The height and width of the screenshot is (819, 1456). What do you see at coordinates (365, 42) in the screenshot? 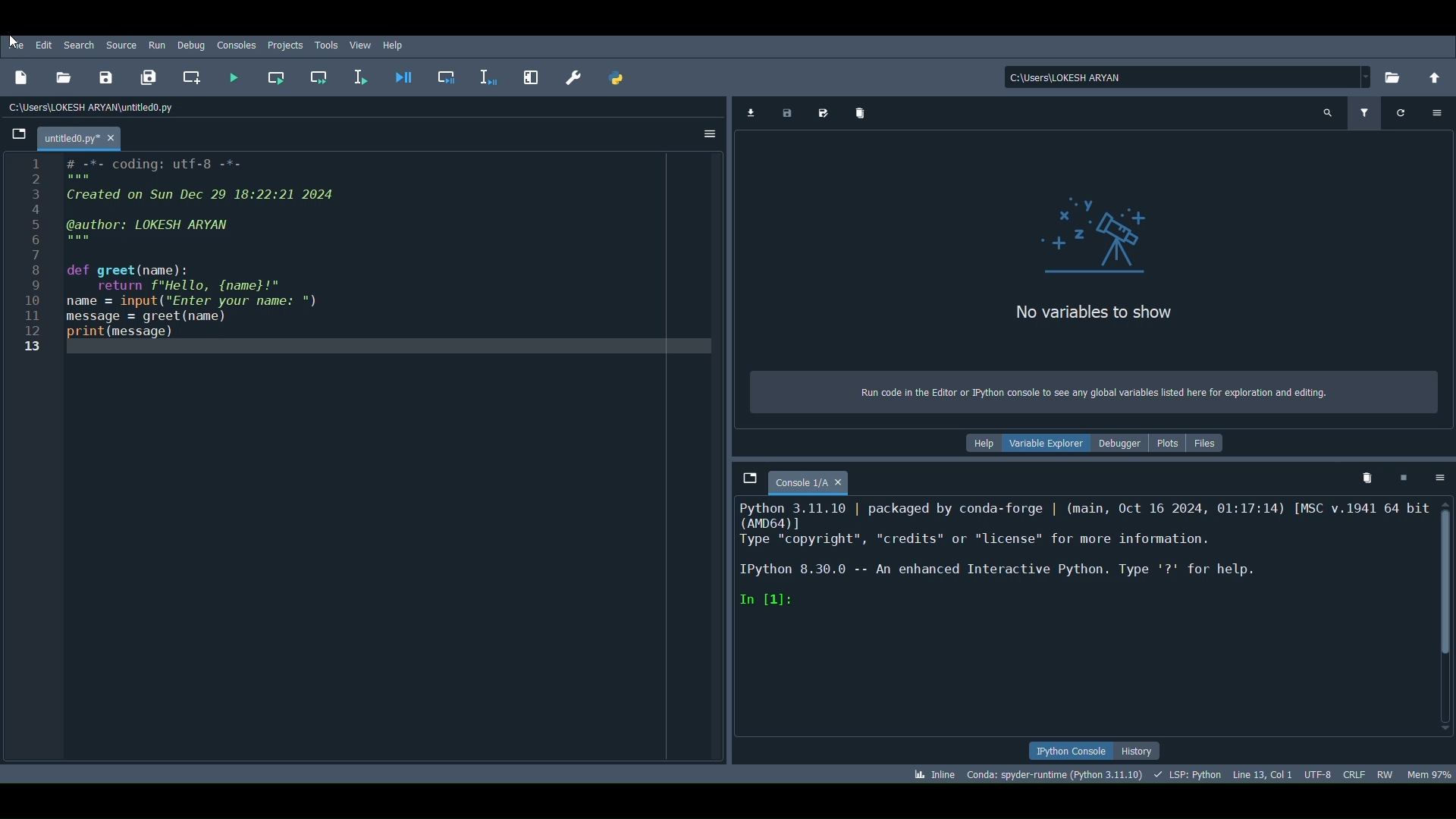
I see `View` at bounding box center [365, 42].